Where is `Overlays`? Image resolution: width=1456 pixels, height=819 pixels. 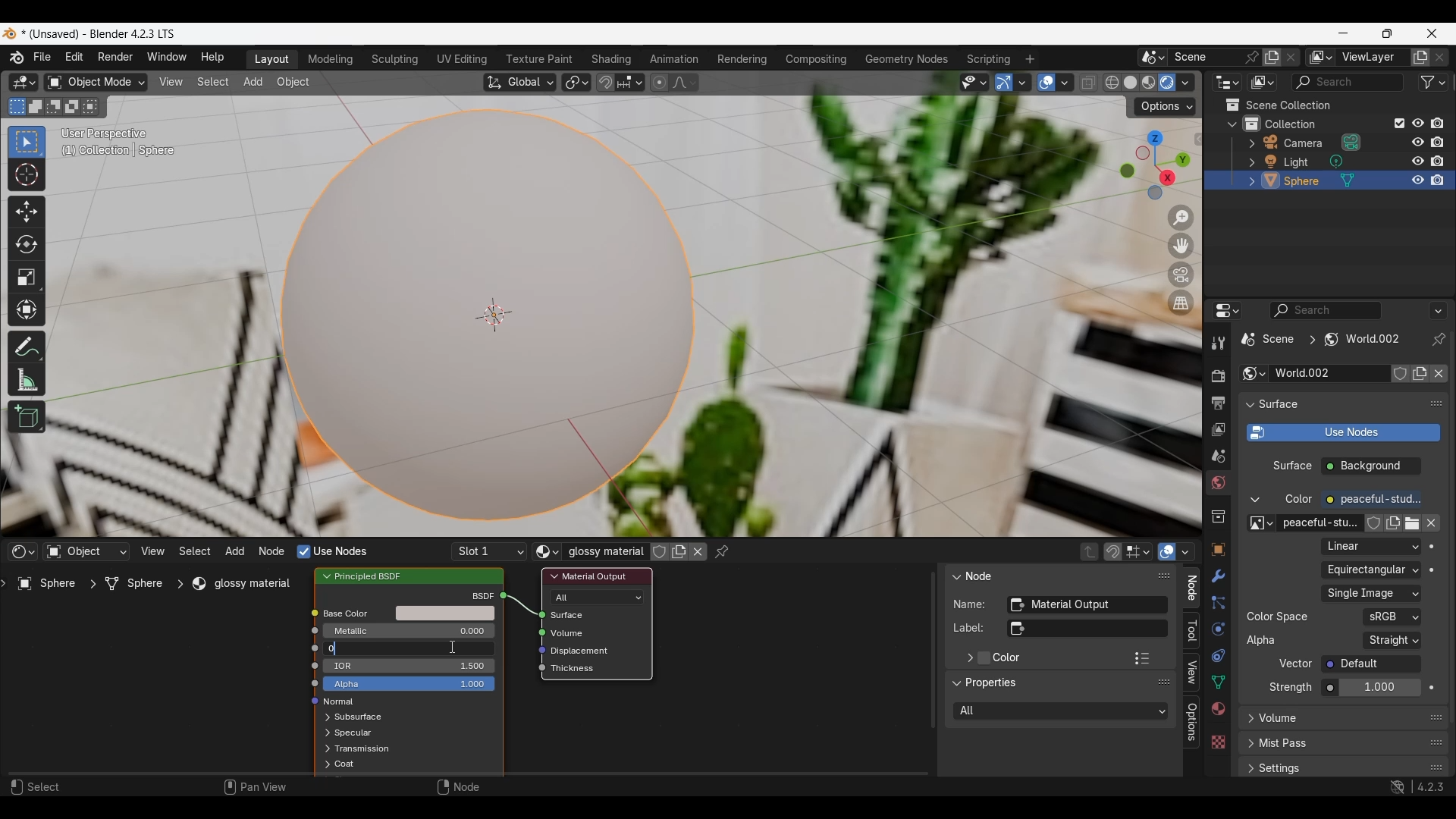
Overlays is located at coordinates (1185, 551).